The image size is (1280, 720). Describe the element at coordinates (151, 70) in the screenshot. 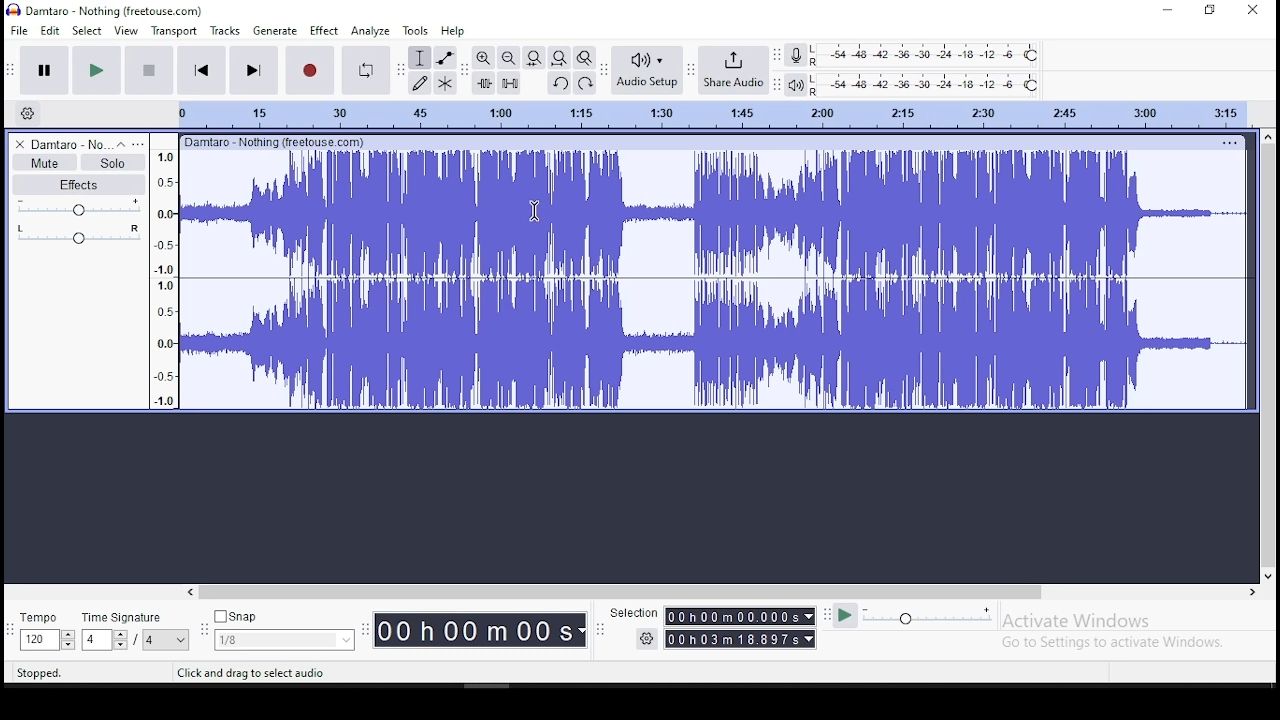

I see `stop` at that location.